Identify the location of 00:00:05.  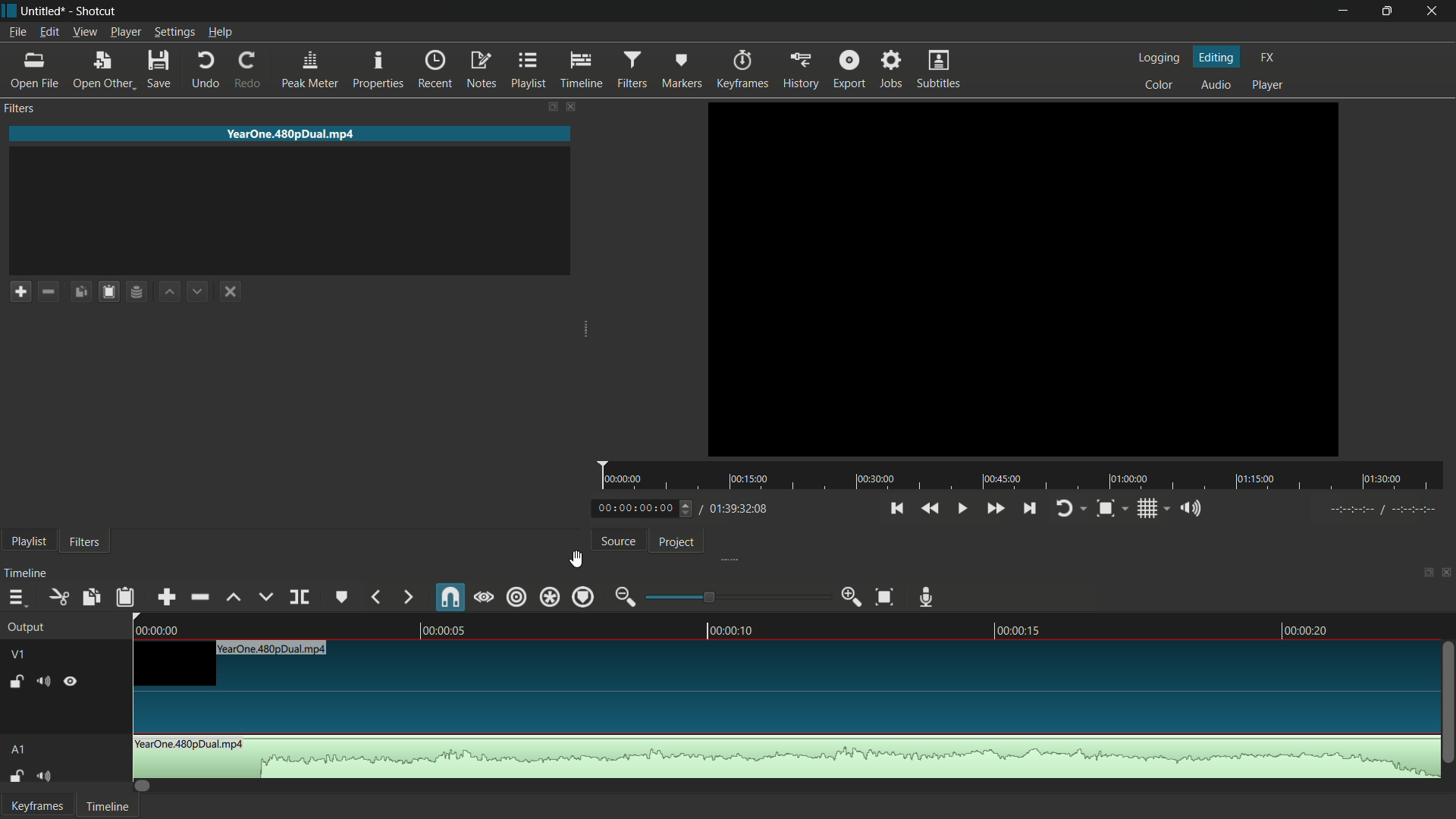
(452, 629).